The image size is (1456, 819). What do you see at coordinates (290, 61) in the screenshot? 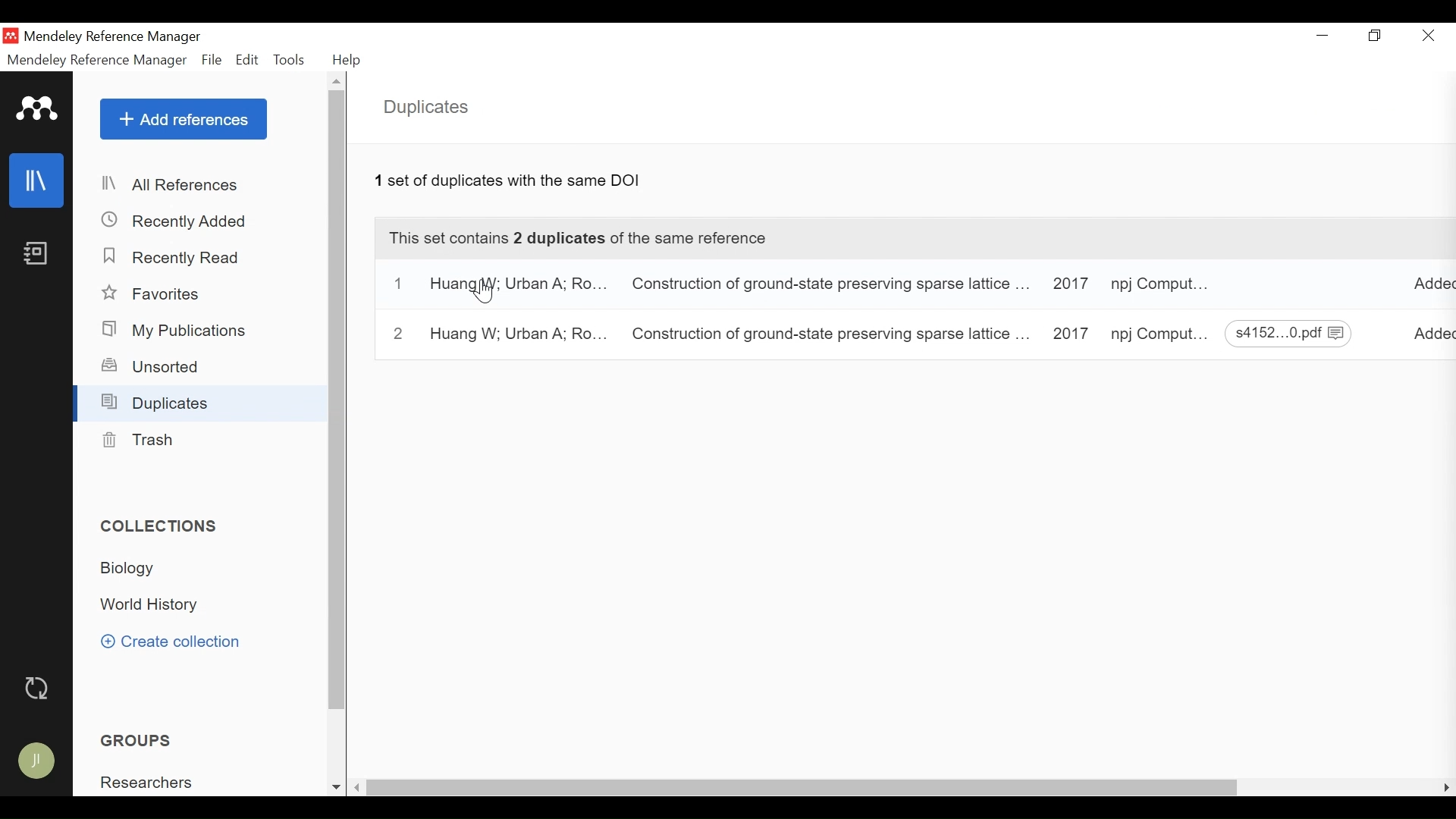
I see `Tools` at bounding box center [290, 61].